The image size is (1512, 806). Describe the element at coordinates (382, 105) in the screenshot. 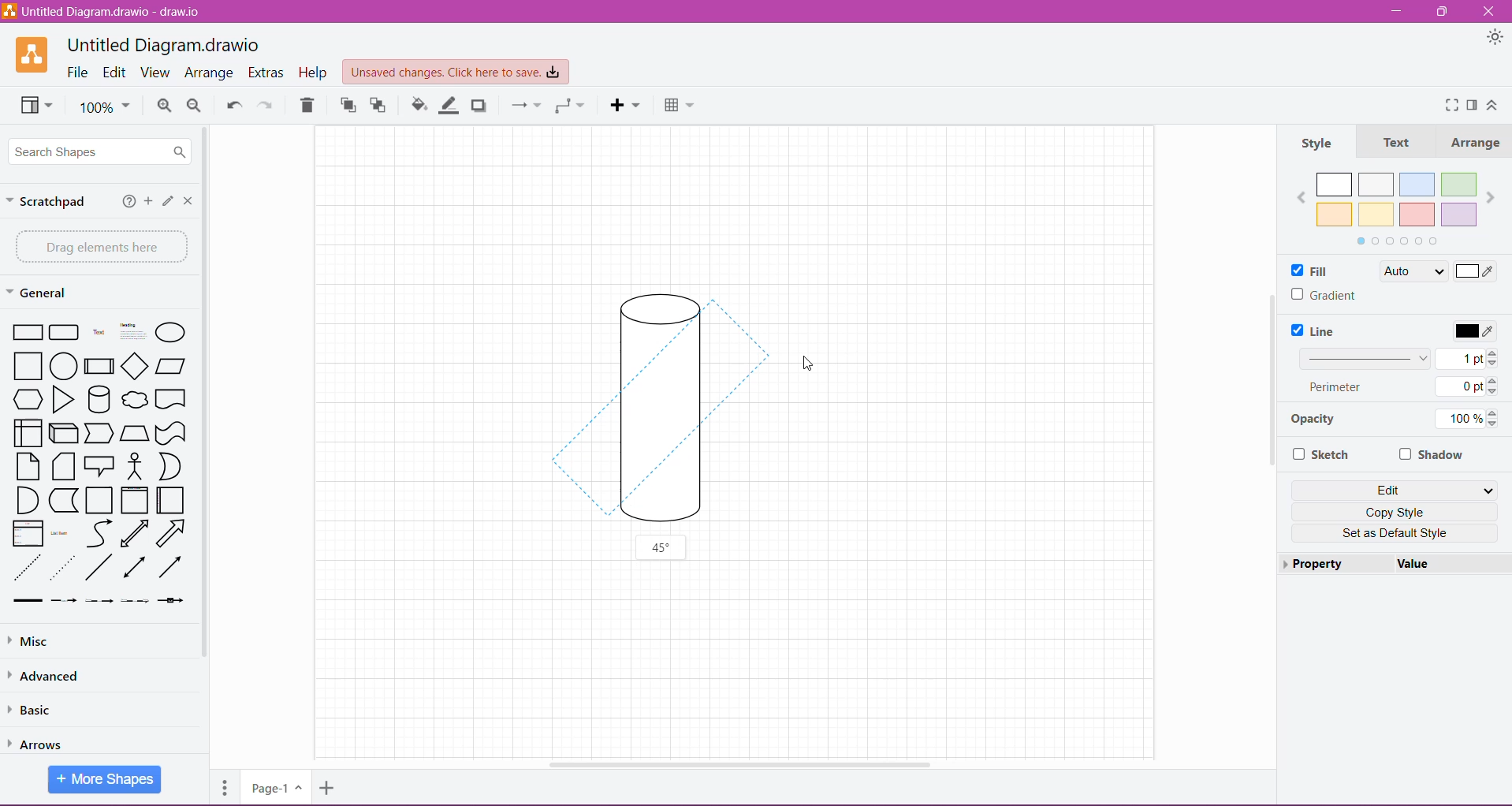

I see `To Back` at that location.